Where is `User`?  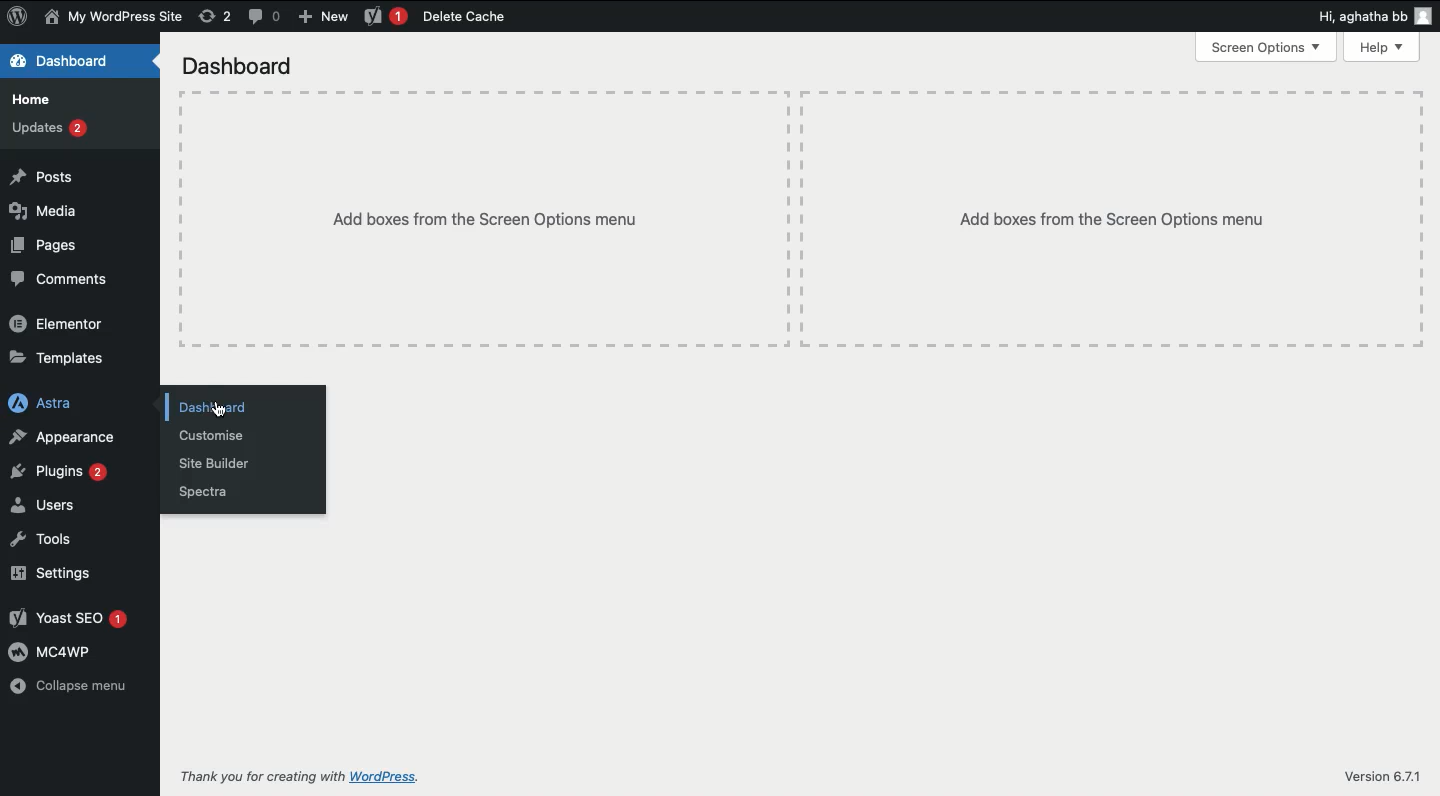
User is located at coordinates (114, 18).